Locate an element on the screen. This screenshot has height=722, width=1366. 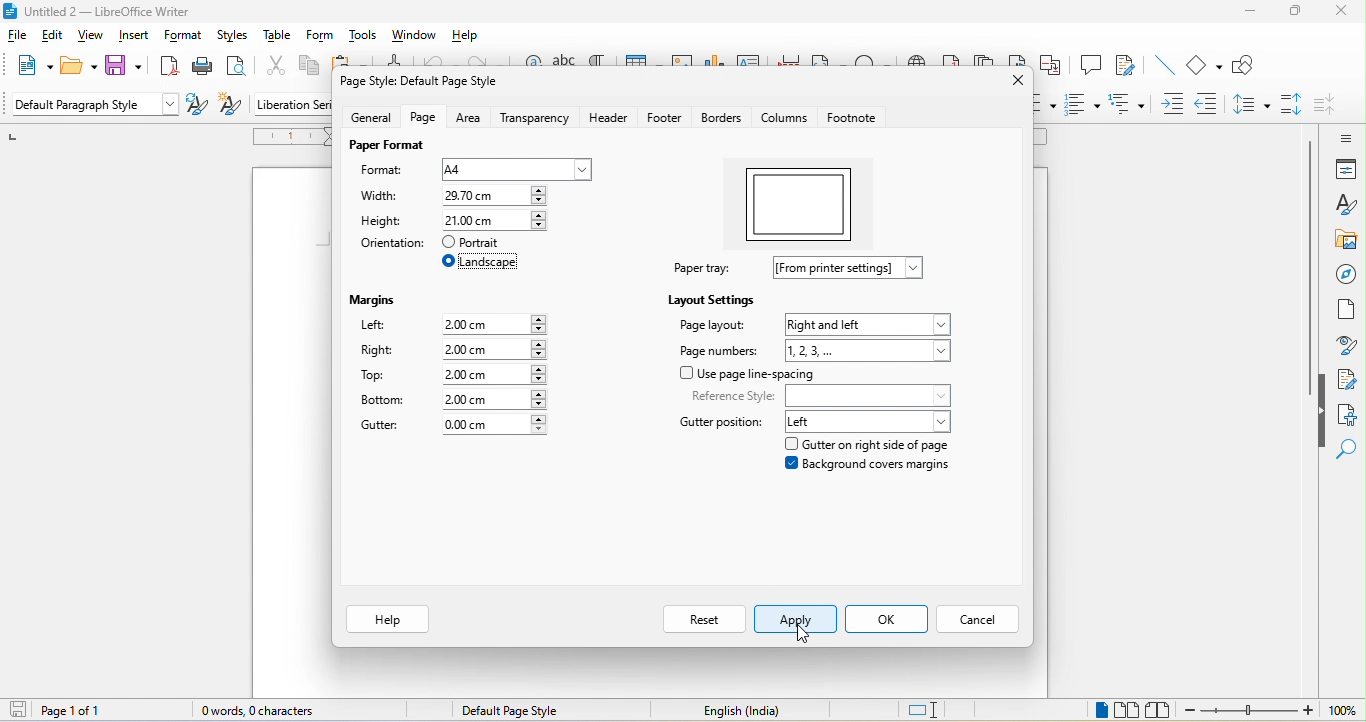
copy is located at coordinates (312, 69).